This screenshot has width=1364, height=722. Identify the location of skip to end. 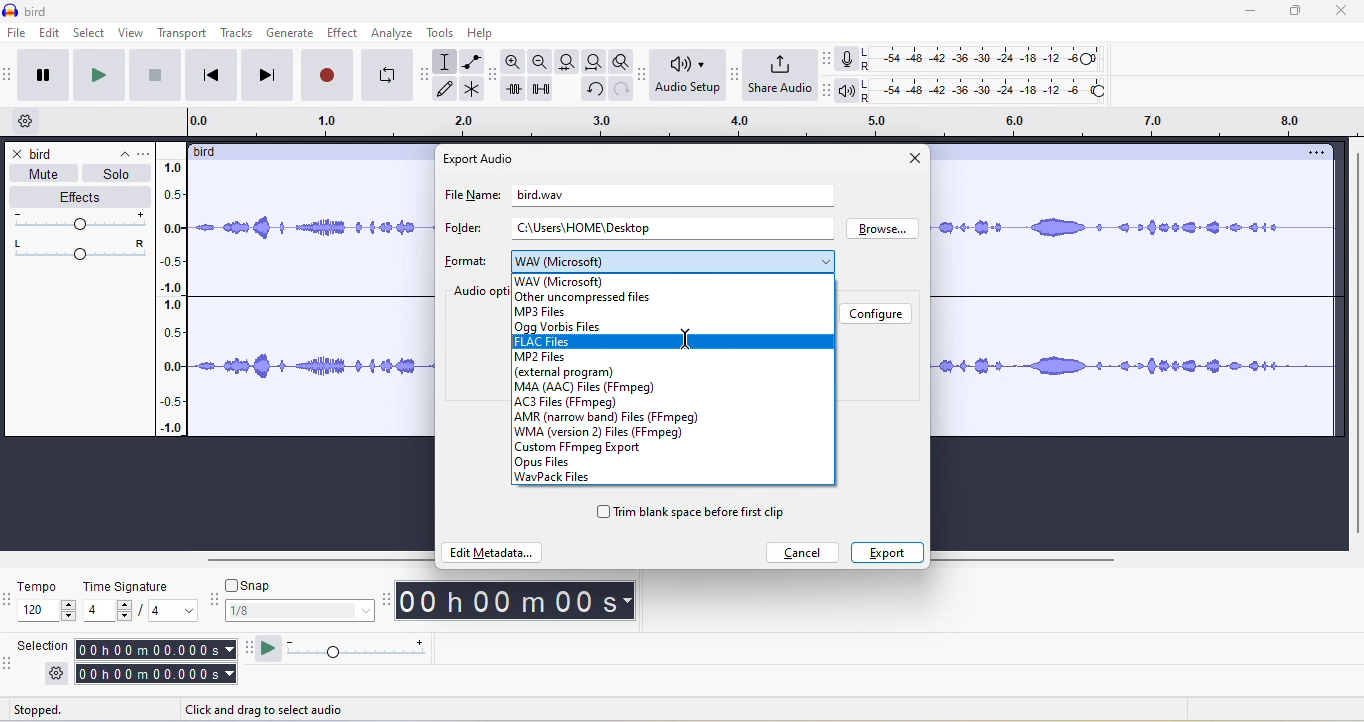
(268, 75).